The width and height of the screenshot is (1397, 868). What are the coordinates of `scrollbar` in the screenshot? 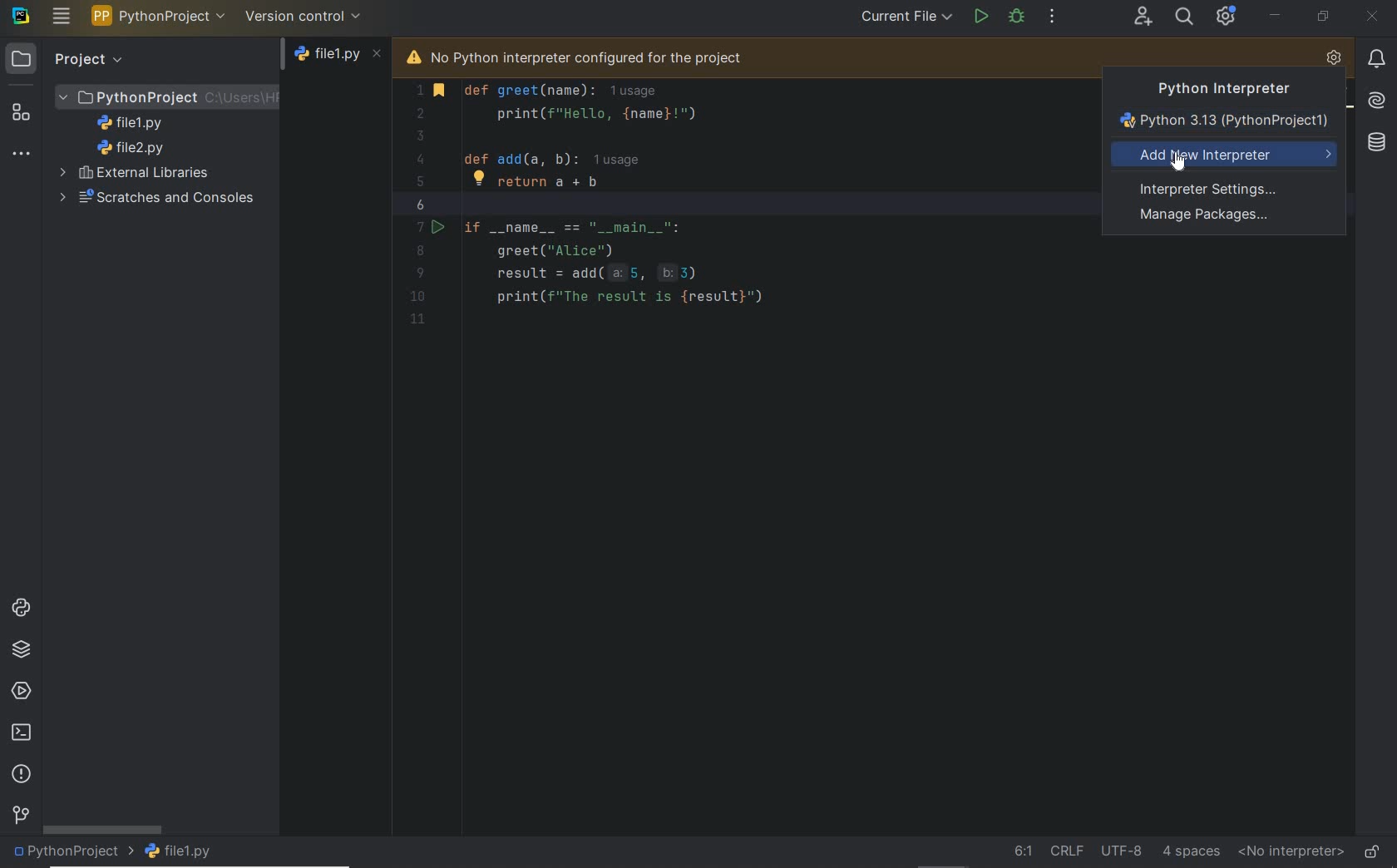 It's located at (102, 829).